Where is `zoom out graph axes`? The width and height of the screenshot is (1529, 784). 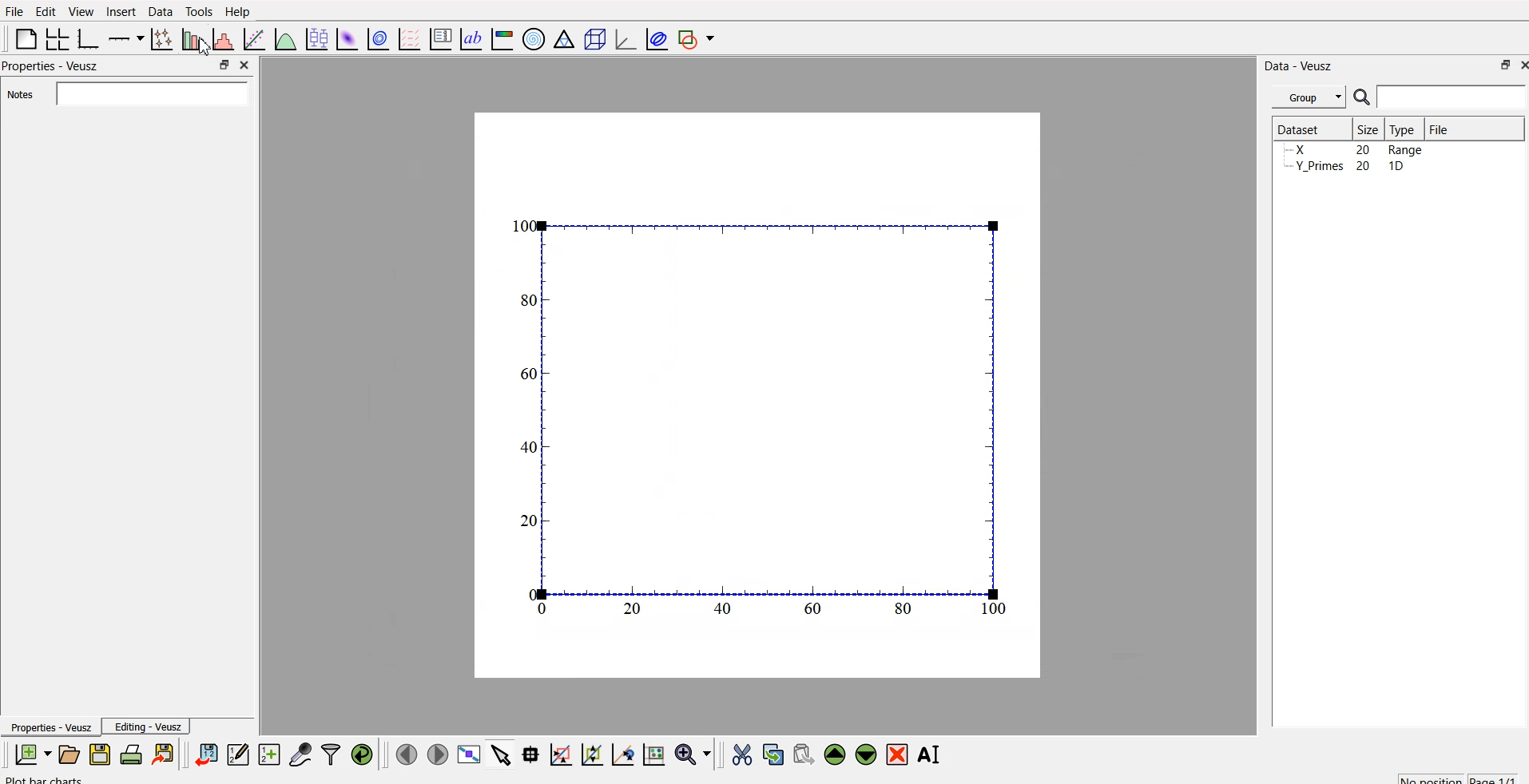
zoom out graph axes is located at coordinates (621, 754).